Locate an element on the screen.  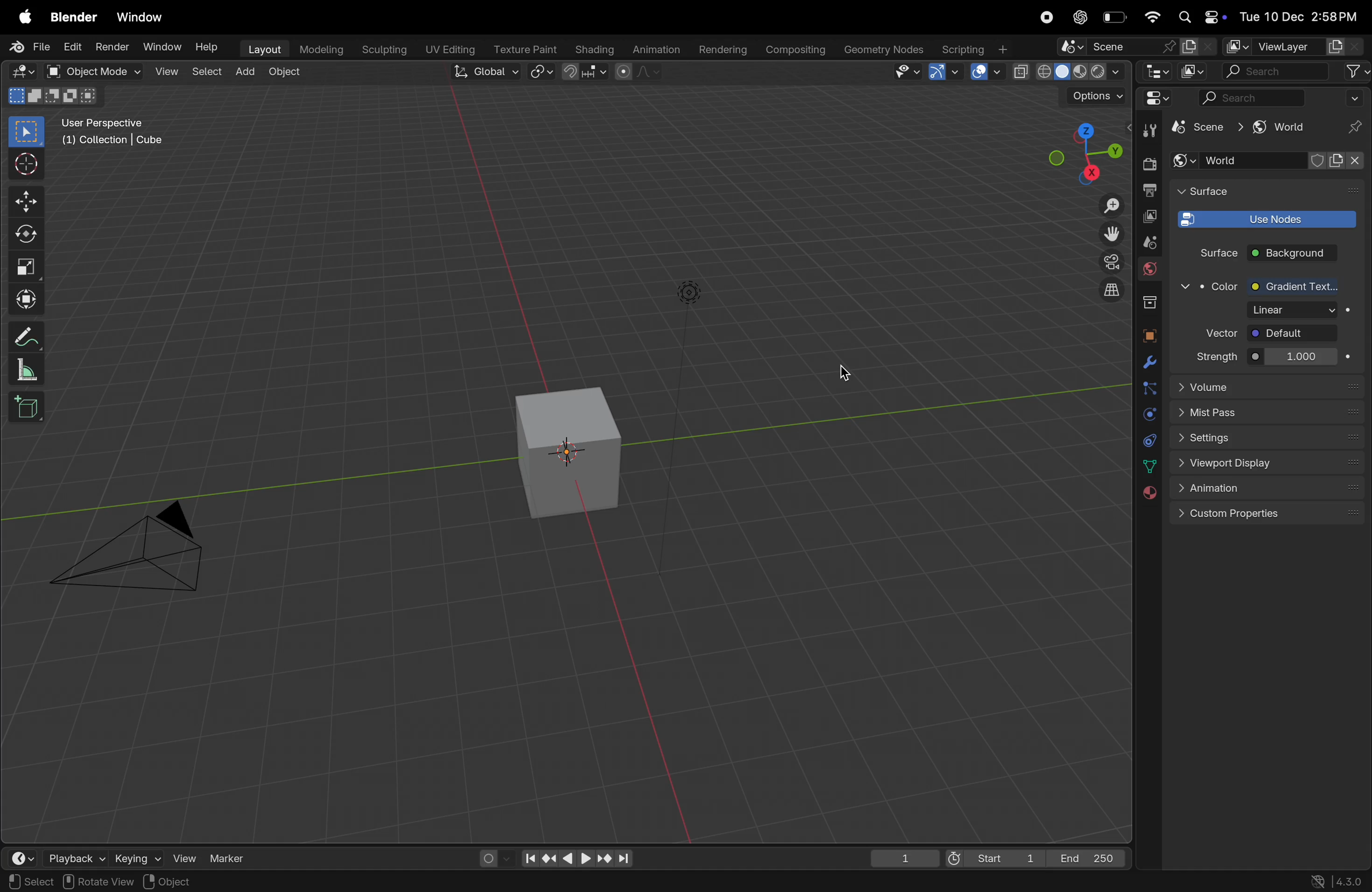
1 is located at coordinates (899, 856).